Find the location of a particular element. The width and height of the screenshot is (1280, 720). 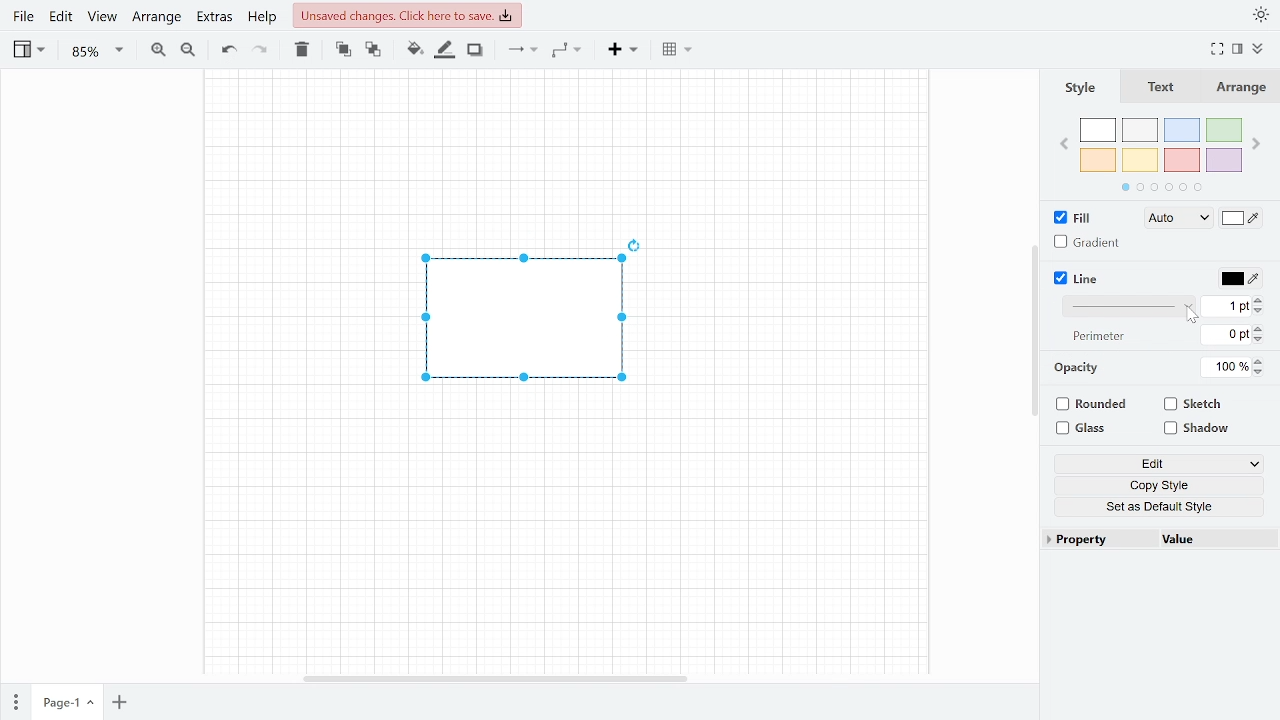

View is located at coordinates (102, 20).